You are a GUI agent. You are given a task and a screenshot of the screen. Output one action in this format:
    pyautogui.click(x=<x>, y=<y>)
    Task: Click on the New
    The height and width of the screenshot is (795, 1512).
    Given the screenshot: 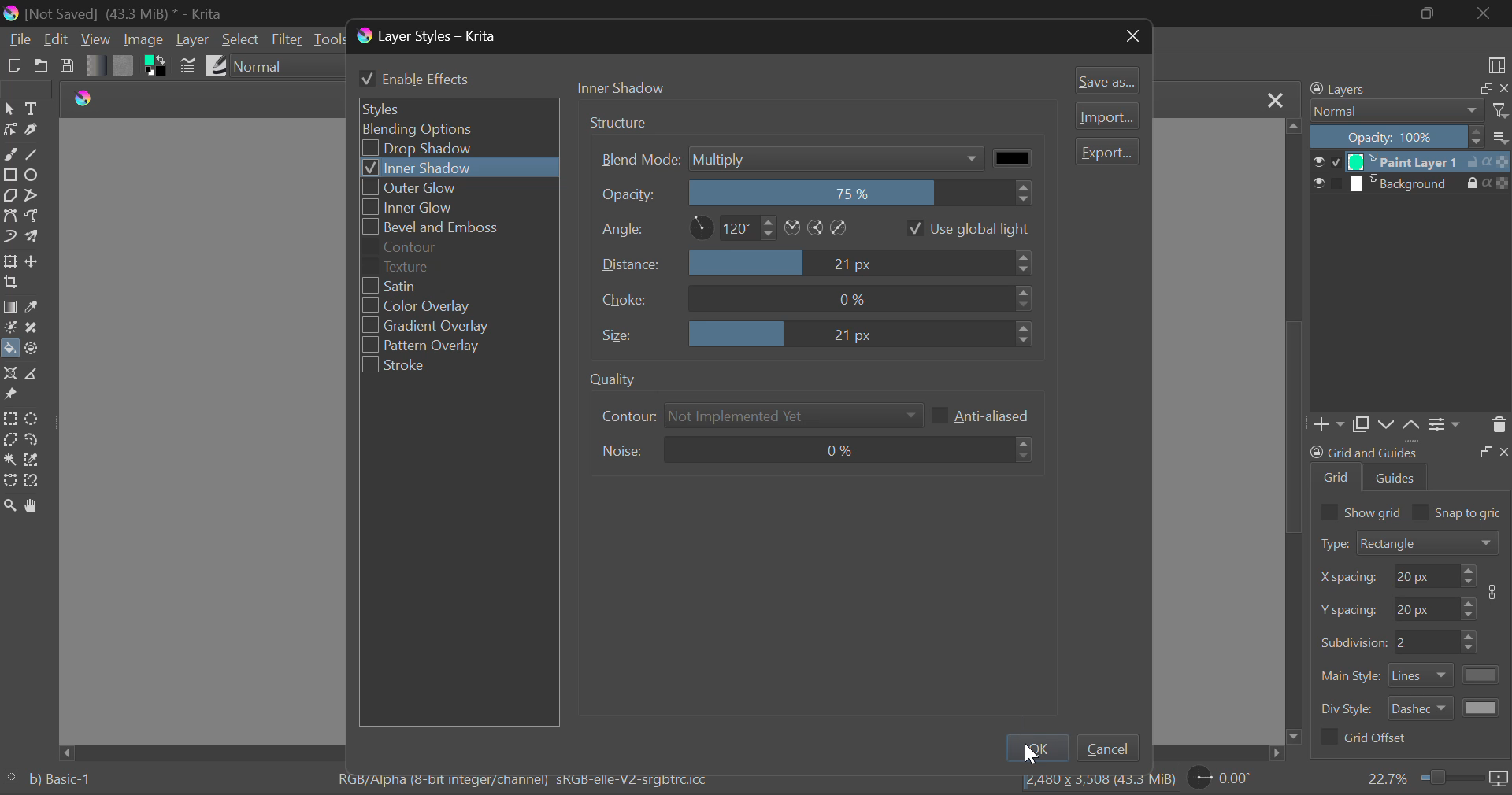 What is the action you would take?
    pyautogui.click(x=14, y=66)
    